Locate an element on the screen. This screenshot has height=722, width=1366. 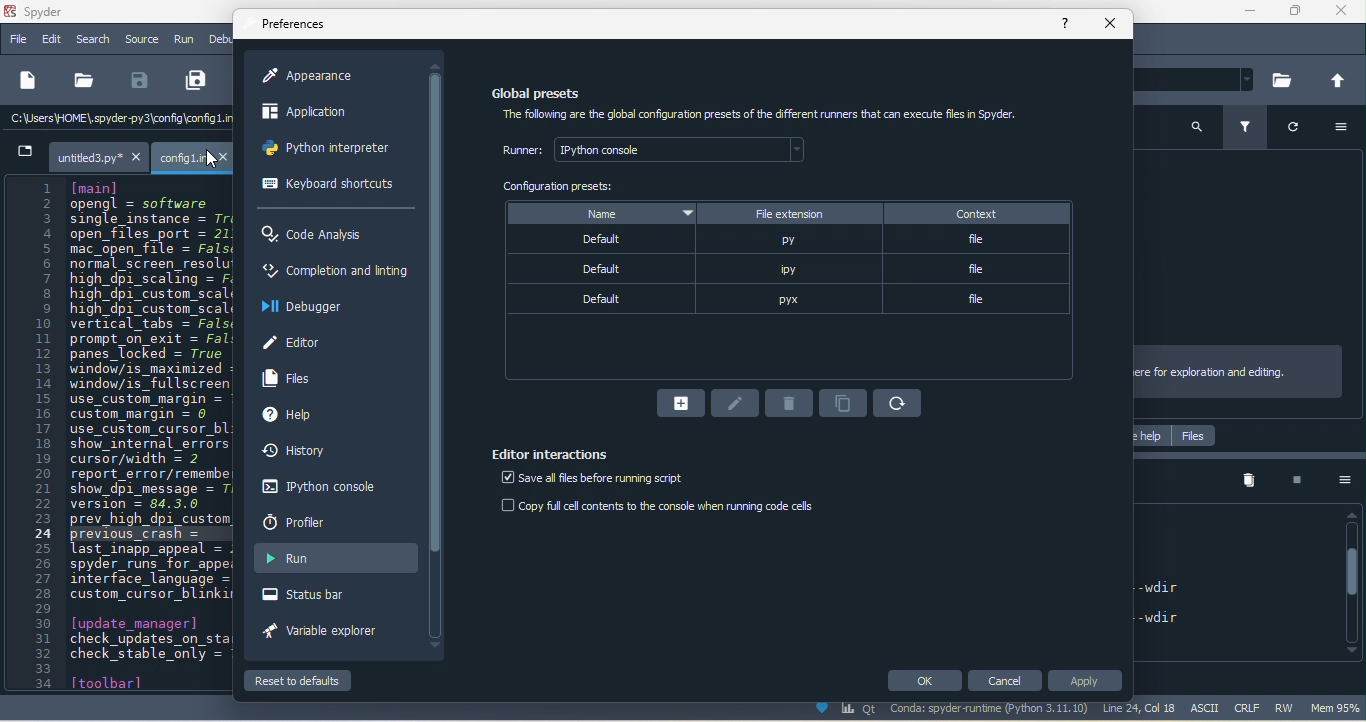
conda spyde runtime is located at coordinates (943, 710).